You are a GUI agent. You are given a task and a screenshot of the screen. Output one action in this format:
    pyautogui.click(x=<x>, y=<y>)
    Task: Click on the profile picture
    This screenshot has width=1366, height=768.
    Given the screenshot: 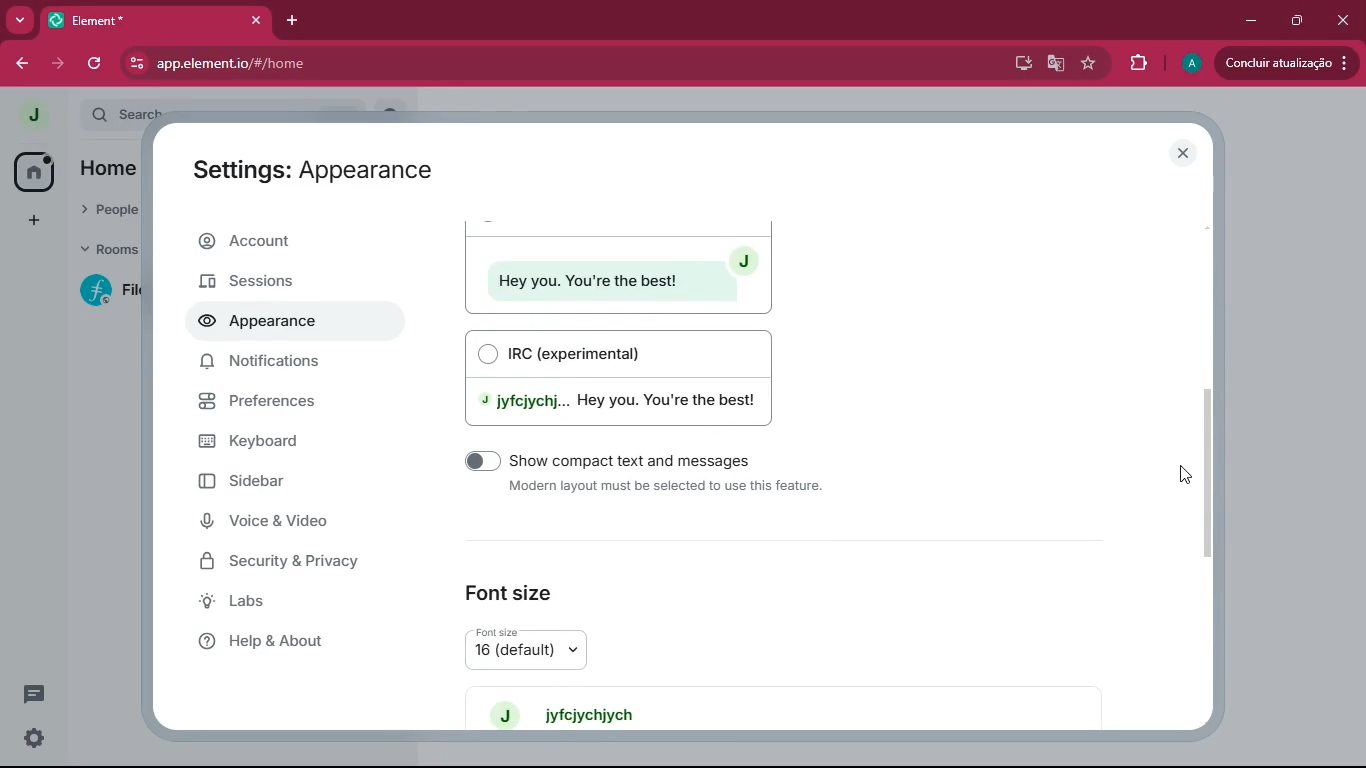 What is the action you would take?
    pyautogui.click(x=28, y=115)
    